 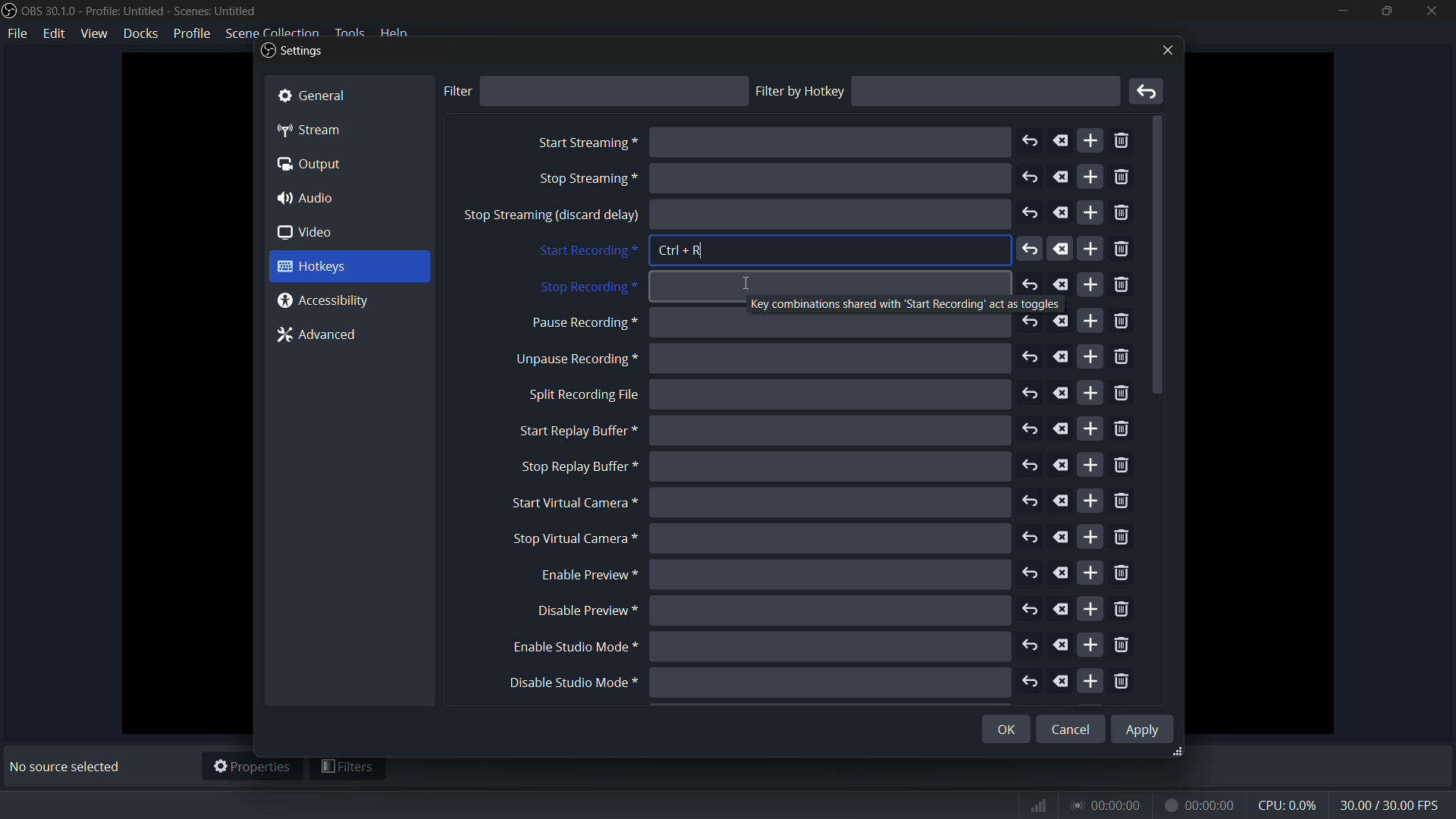 I want to click on add more, so click(x=1090, y=356).